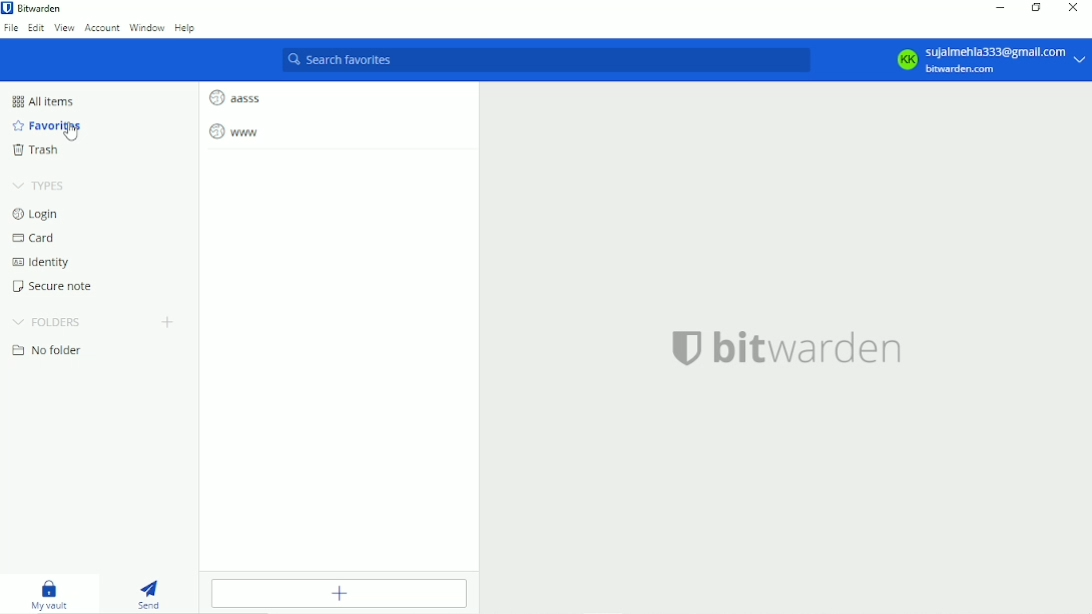 The height and width of the screenshot is (614, 1092). What do you see at coordinates (36, 9) in the screenshot?
I see `Bitwarden` at bounding box center [36, 9].